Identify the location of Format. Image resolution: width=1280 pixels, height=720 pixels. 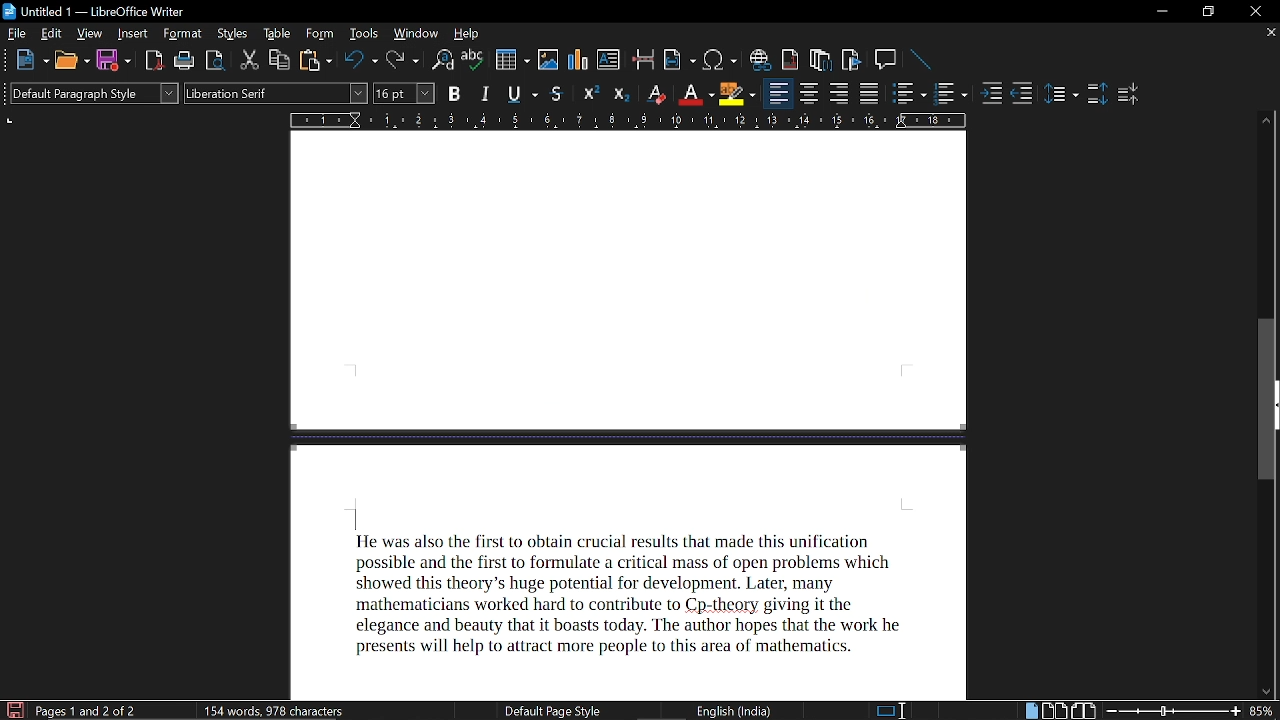
(181, 35).